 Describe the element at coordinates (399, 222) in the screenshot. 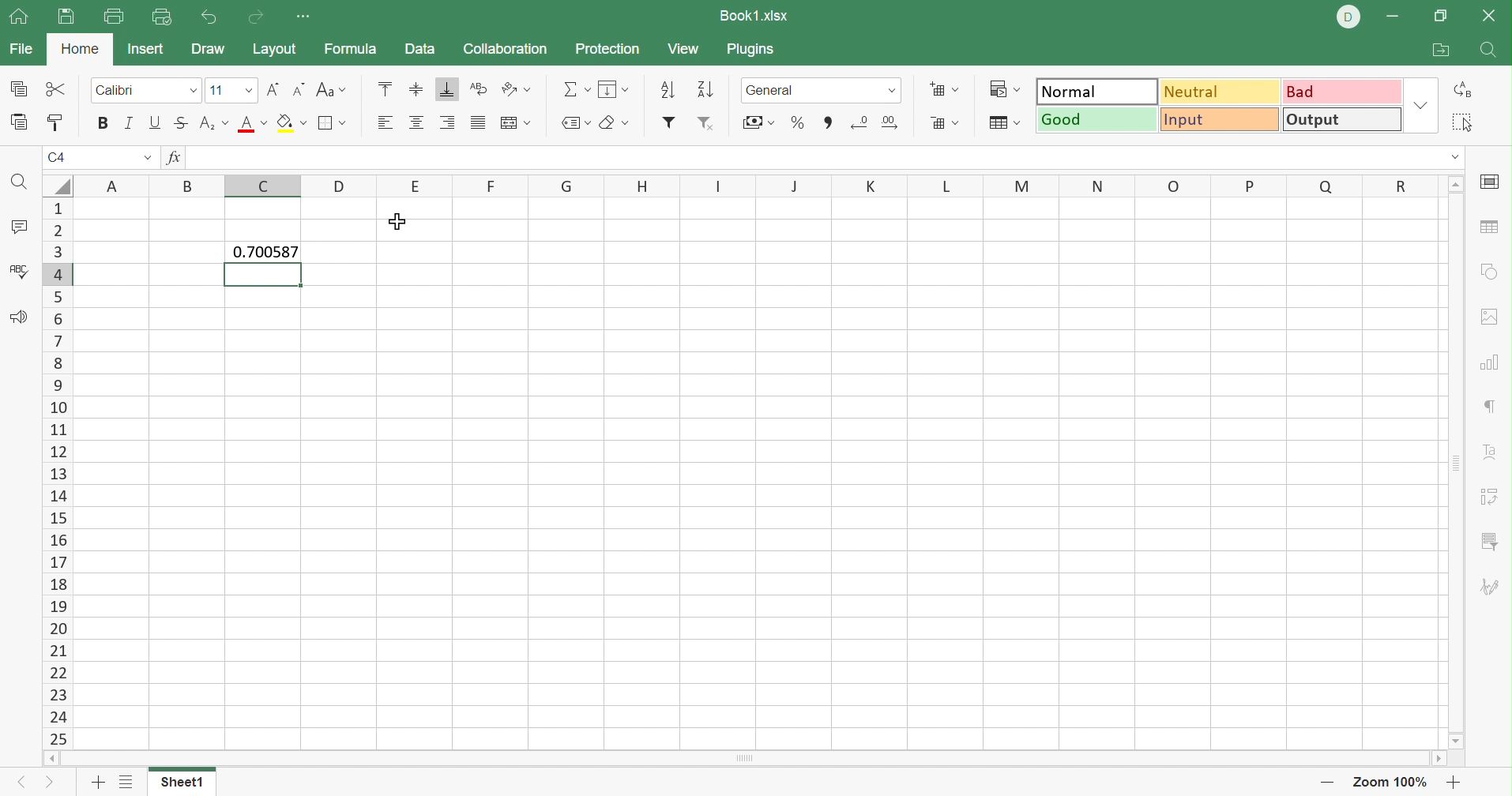

I see `Cursor` at that location.